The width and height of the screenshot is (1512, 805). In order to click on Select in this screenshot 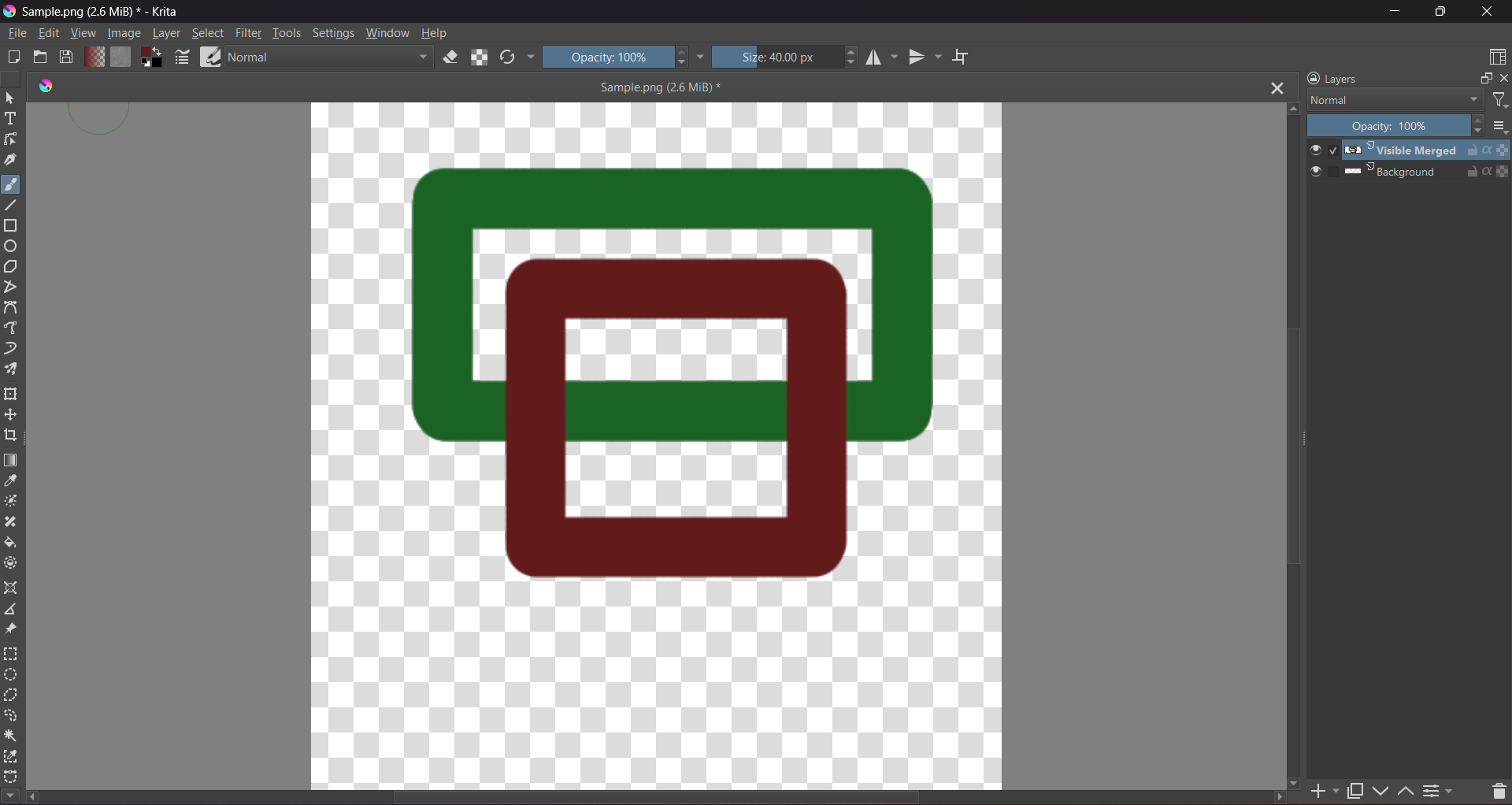, I will do `click(209, 33)`.